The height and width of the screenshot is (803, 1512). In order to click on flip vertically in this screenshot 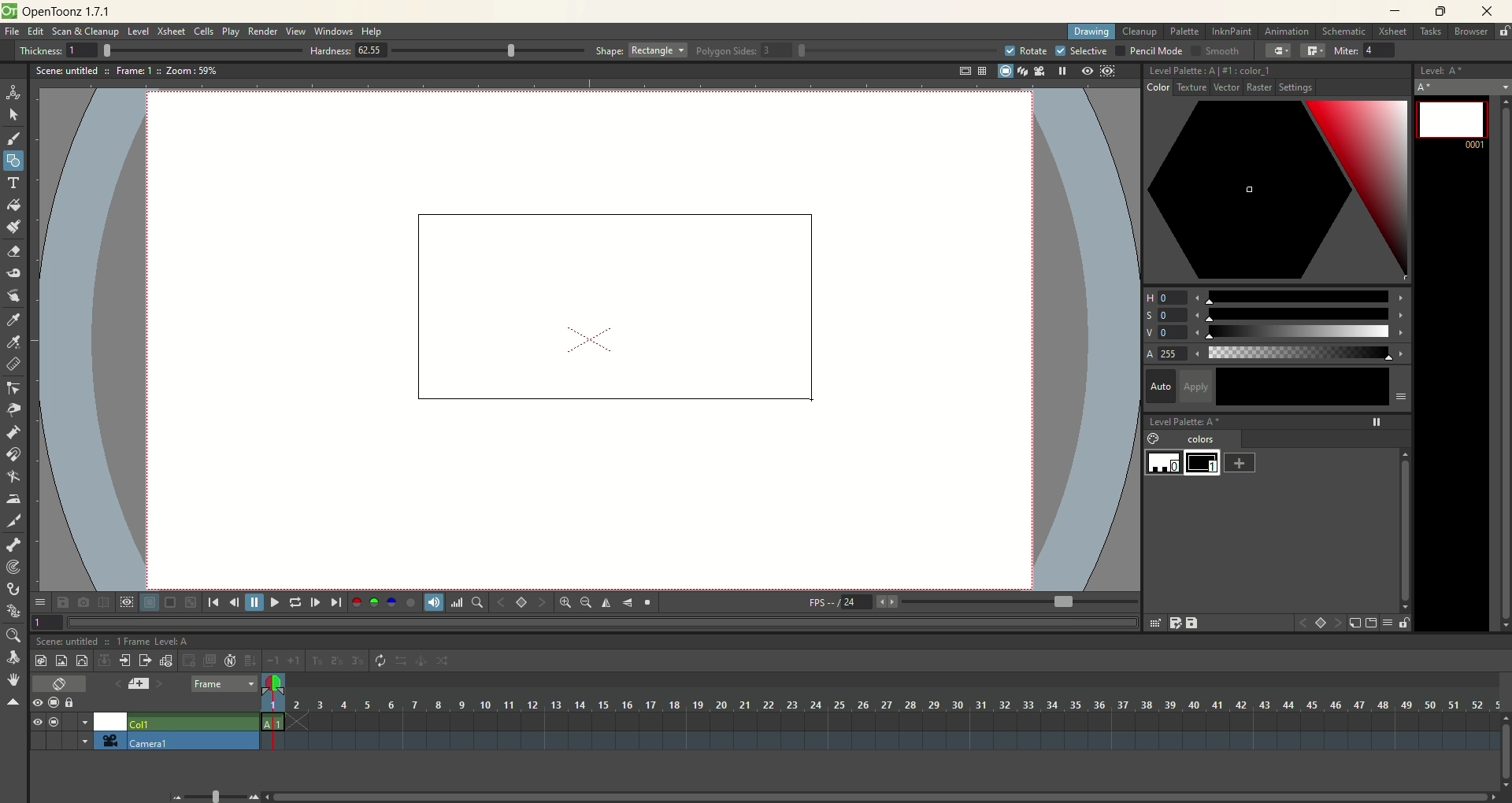, I will do `click(628, 603)`.